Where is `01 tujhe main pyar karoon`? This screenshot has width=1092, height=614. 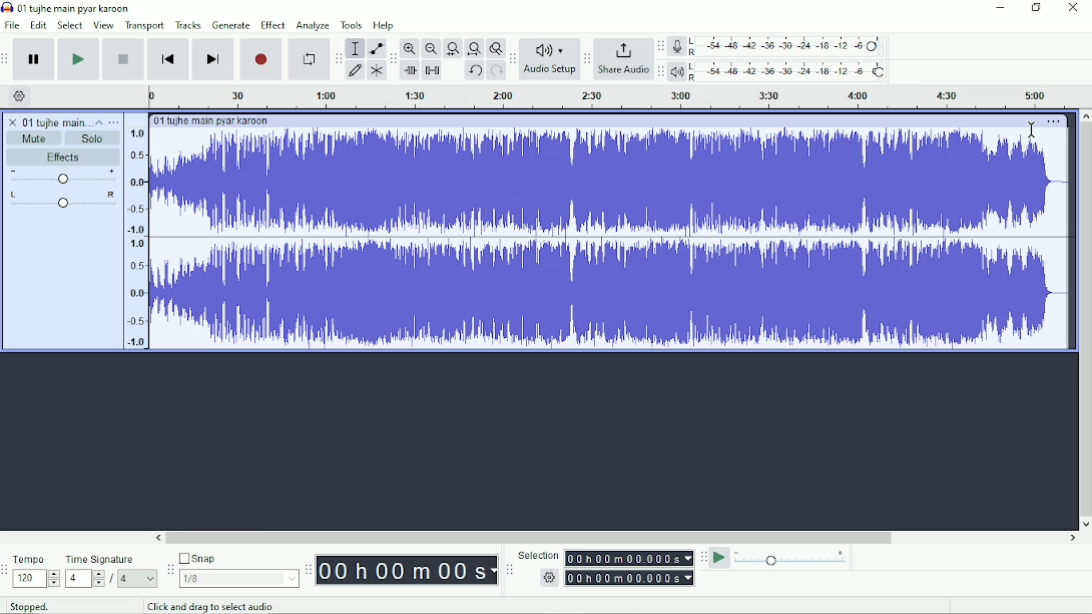 01 tujhe main pyar karoon is located at coordinates (76, 8).